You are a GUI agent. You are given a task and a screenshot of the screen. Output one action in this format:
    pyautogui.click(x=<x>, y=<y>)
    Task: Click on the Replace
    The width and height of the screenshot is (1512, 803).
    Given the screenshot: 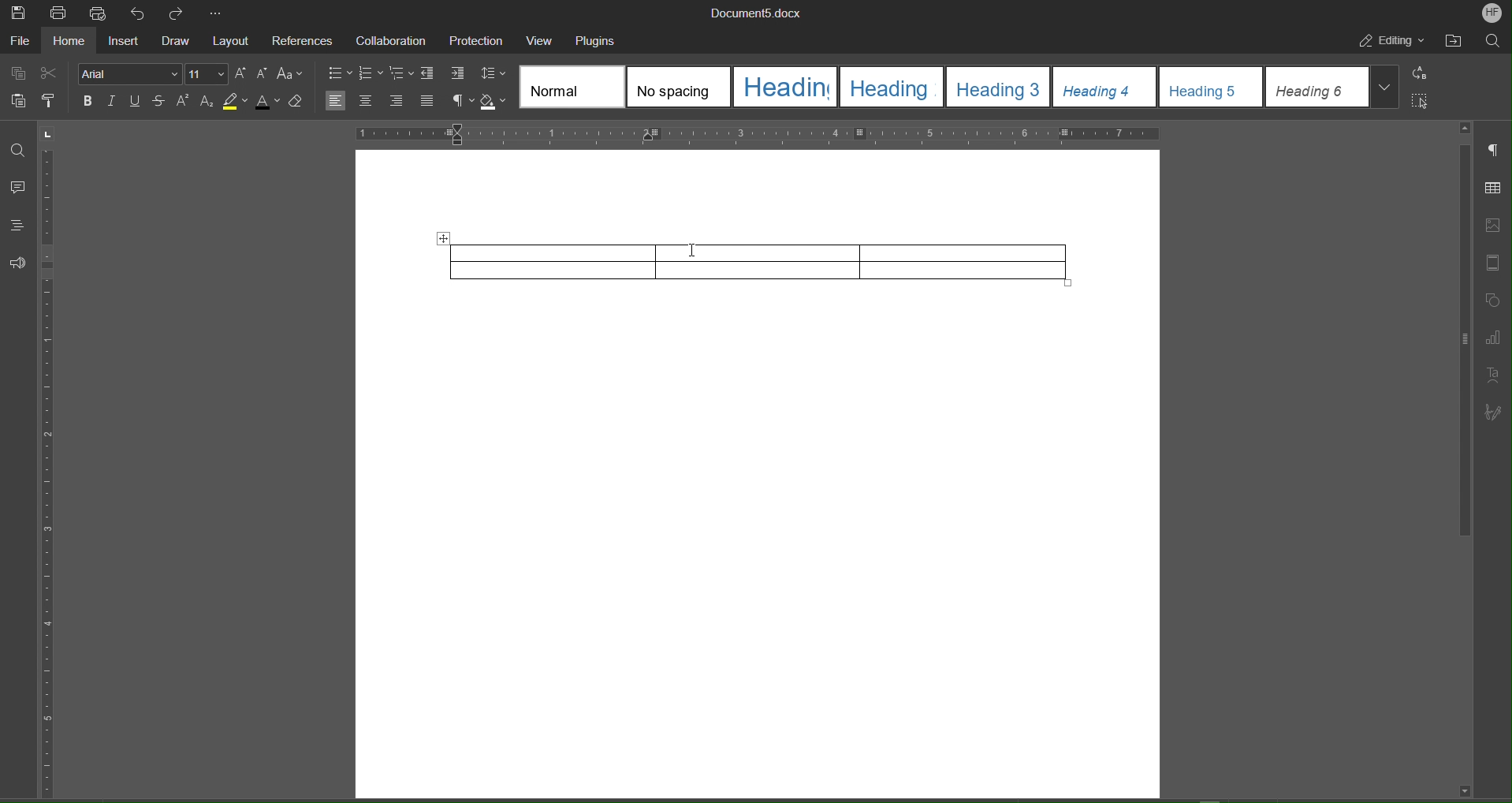 What is the action you would take?
    pyautogui.click(x=1424, y=73)
    